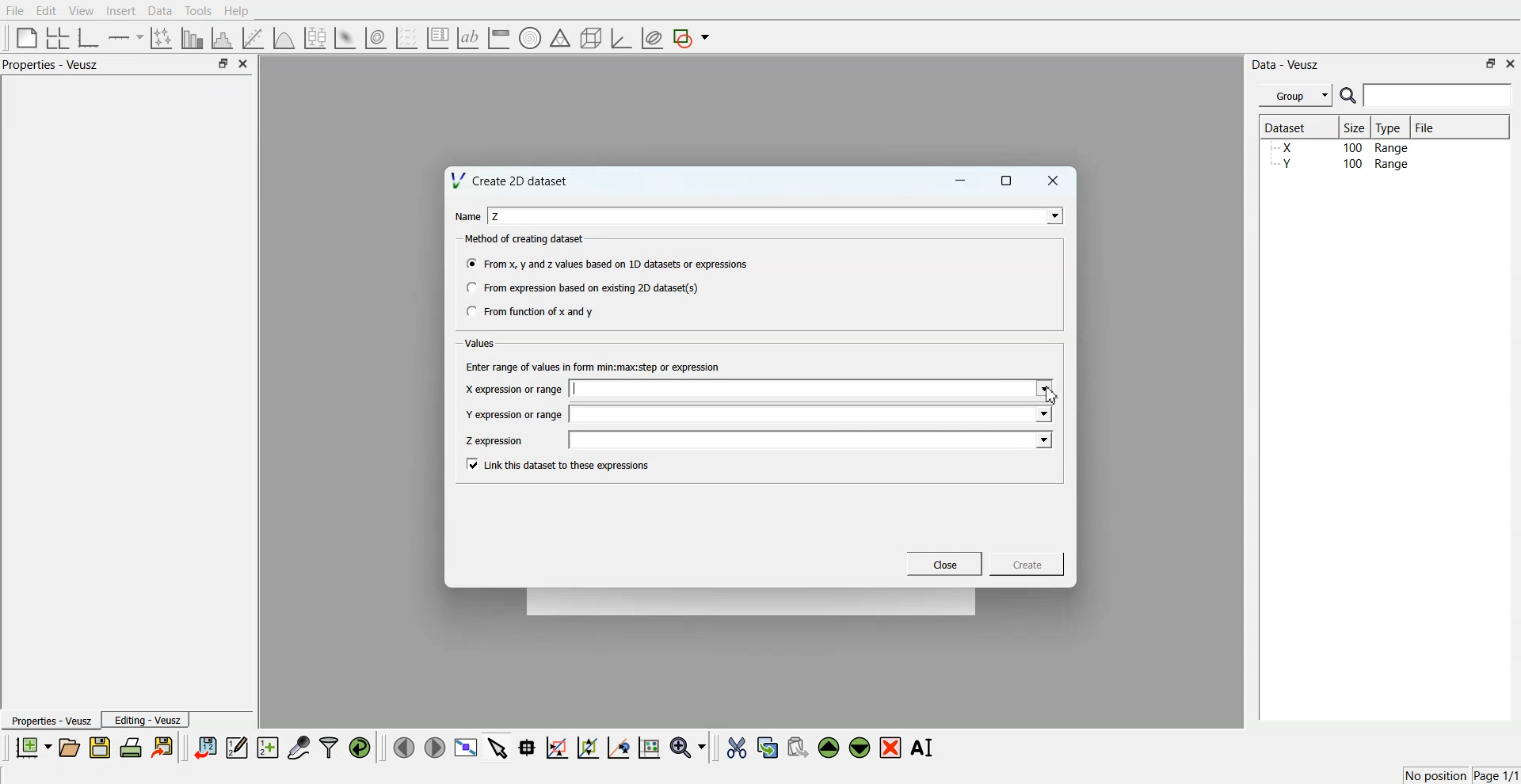  I want to click on Help, so click(237, 11).